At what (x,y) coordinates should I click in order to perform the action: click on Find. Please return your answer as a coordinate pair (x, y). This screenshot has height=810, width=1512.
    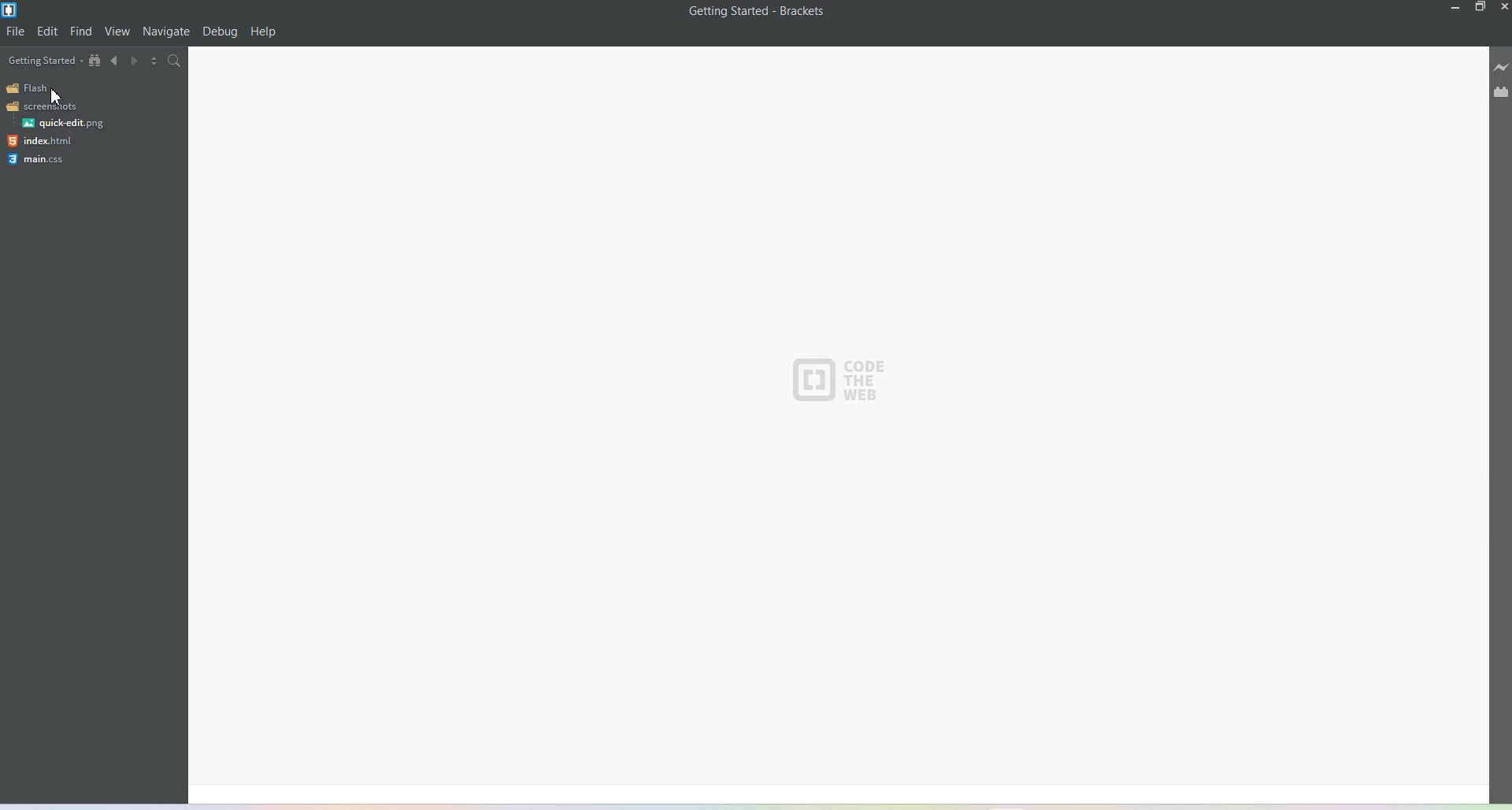
    Looking at the image, I should click on (81, 32).